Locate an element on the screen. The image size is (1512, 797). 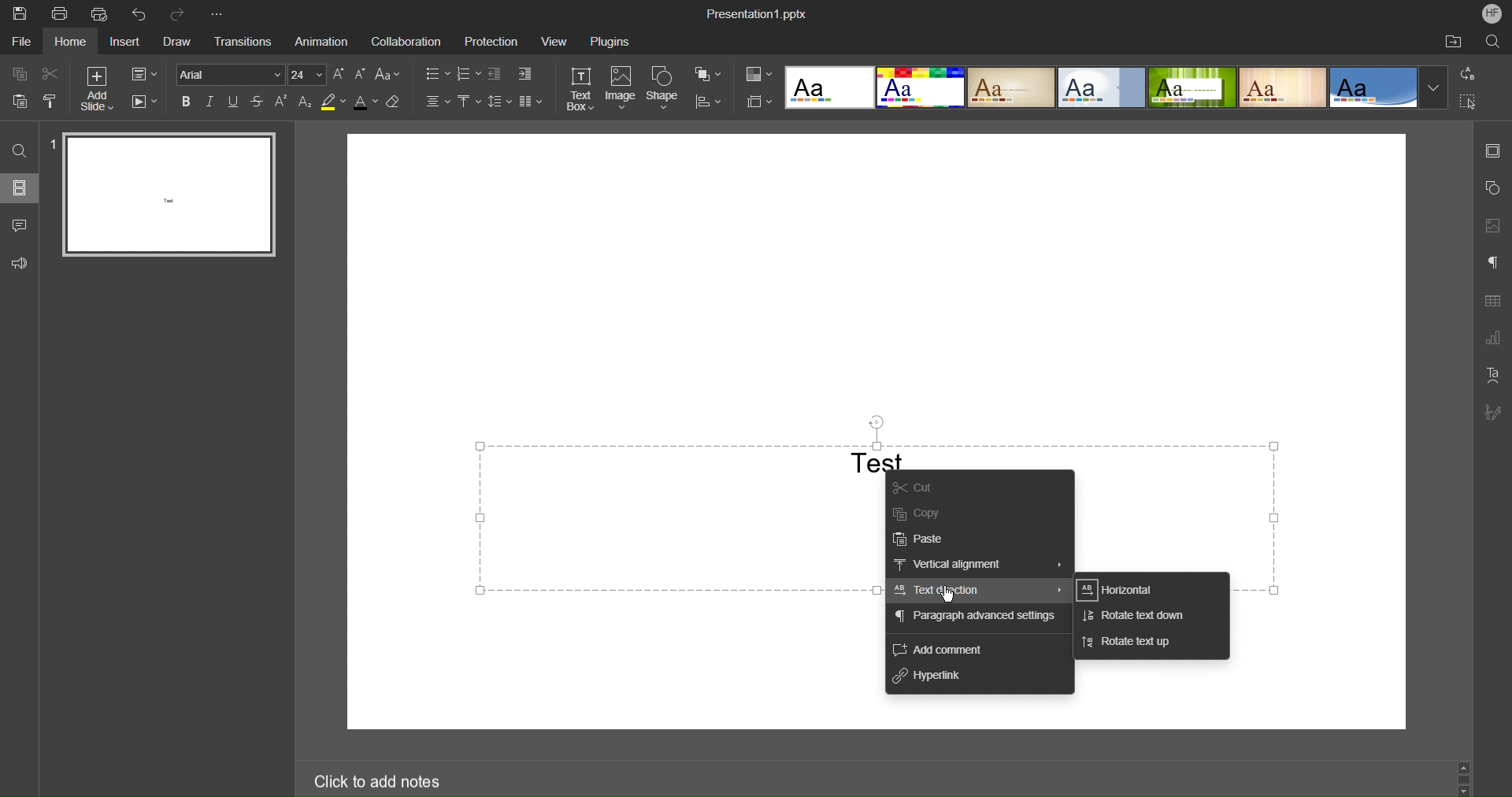
Arrange is located at coordinates (709, 75).